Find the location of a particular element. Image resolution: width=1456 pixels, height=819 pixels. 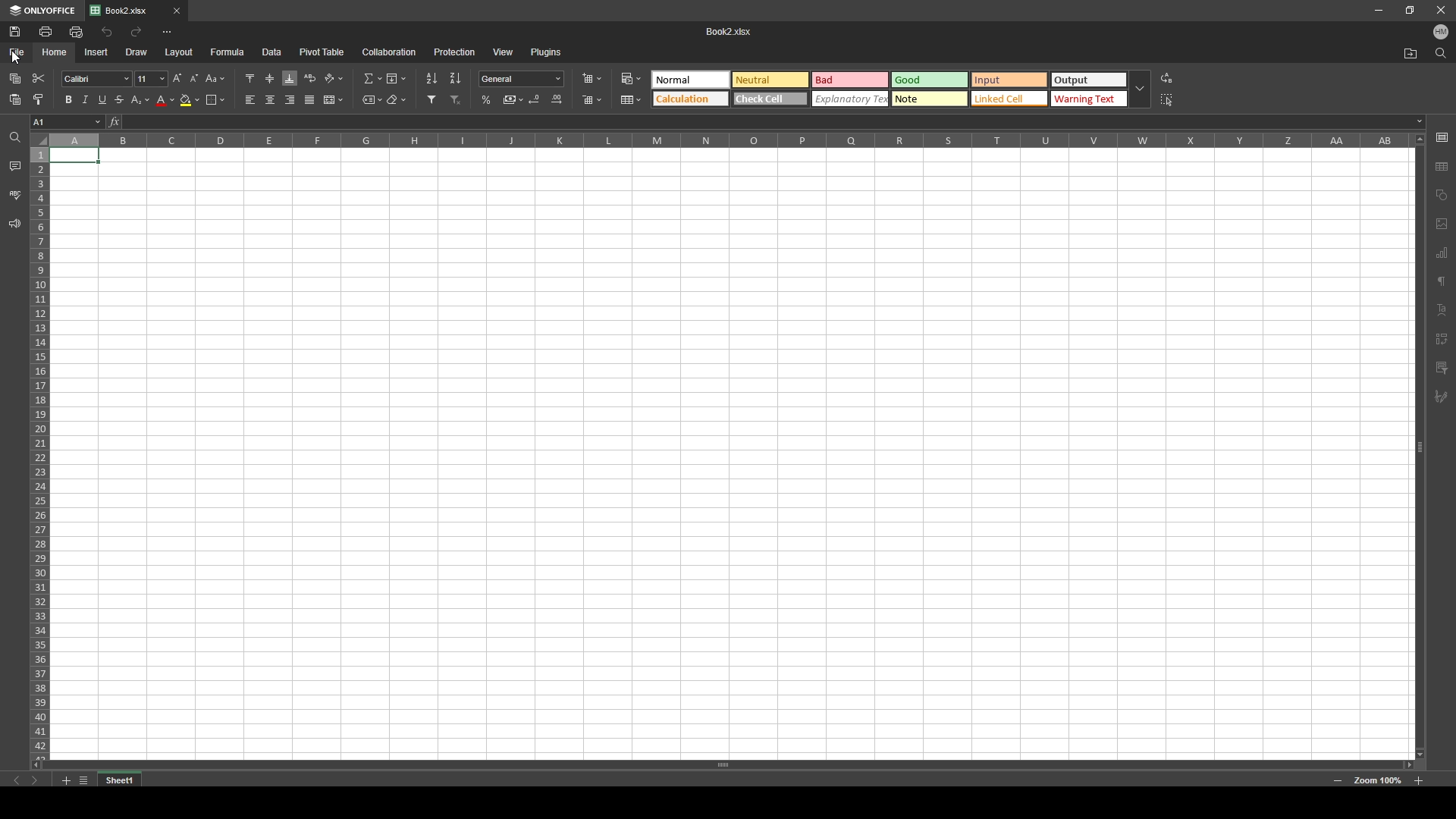

paragraph is located at coordinates (1442, 283).